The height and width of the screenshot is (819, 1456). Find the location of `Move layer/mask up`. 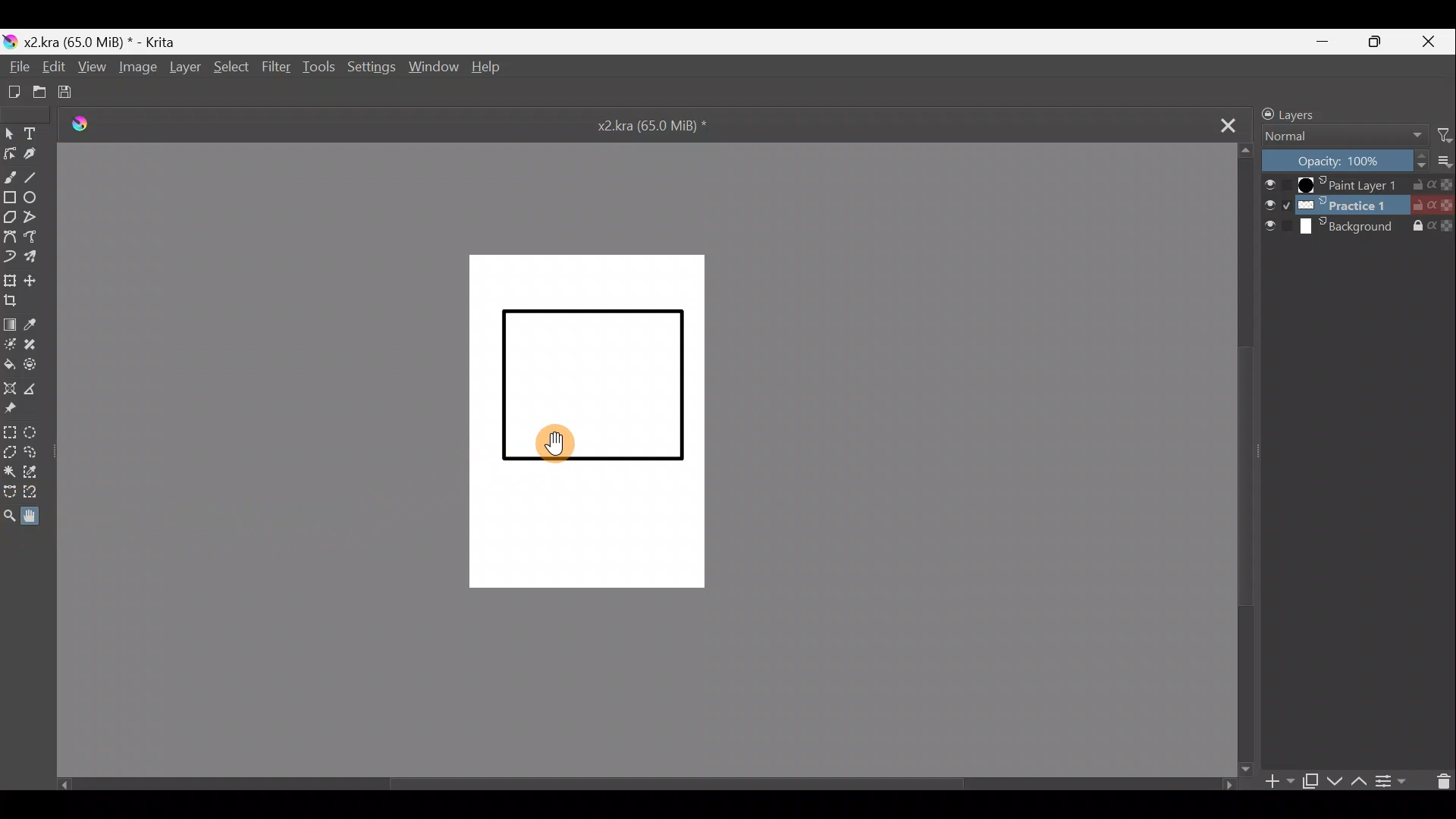

Move layer/mask up is located at coordinates (1355, 782).